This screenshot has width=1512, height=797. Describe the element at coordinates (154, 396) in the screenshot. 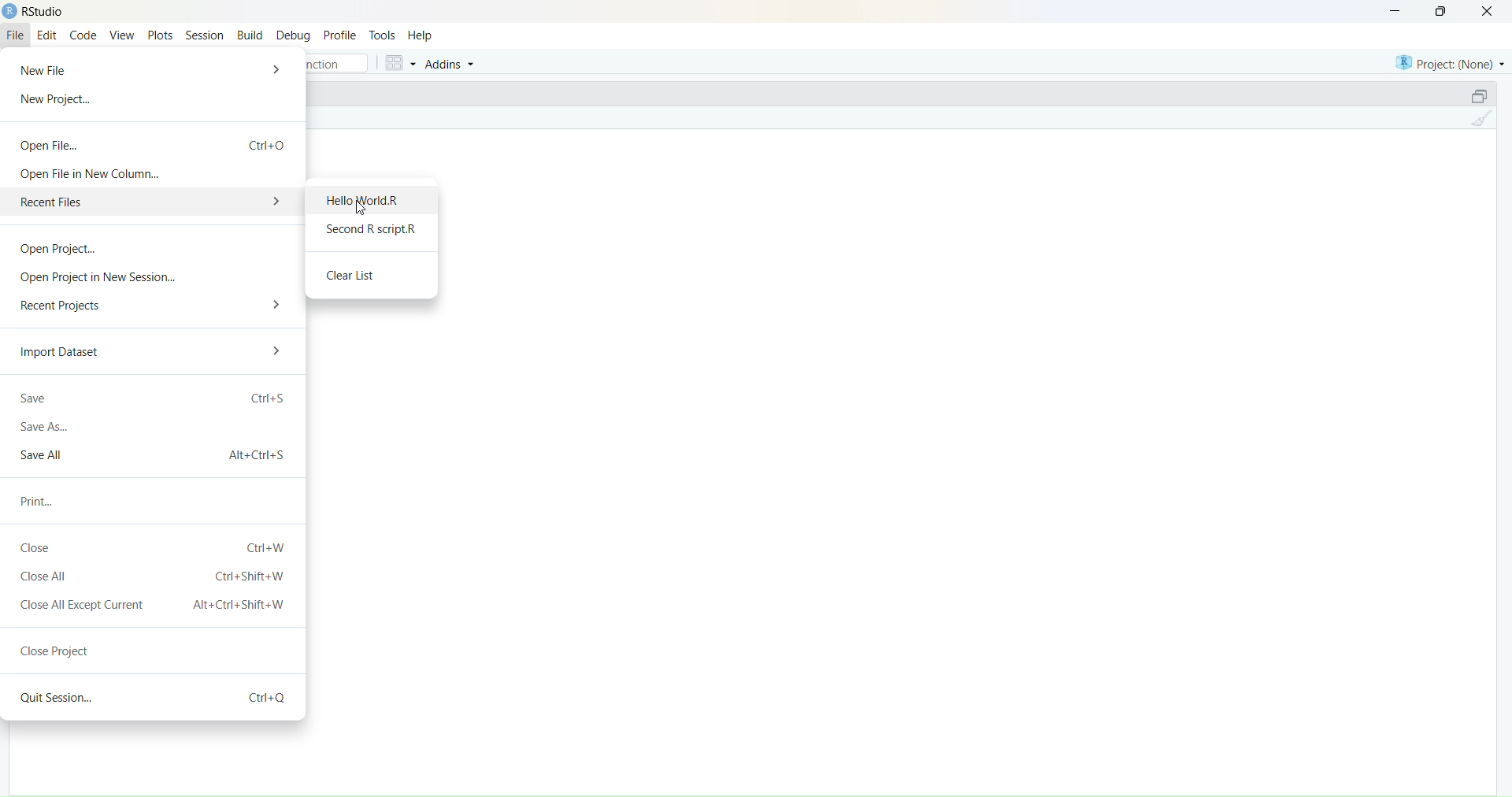

I see `Save ctrl + s` at that location.